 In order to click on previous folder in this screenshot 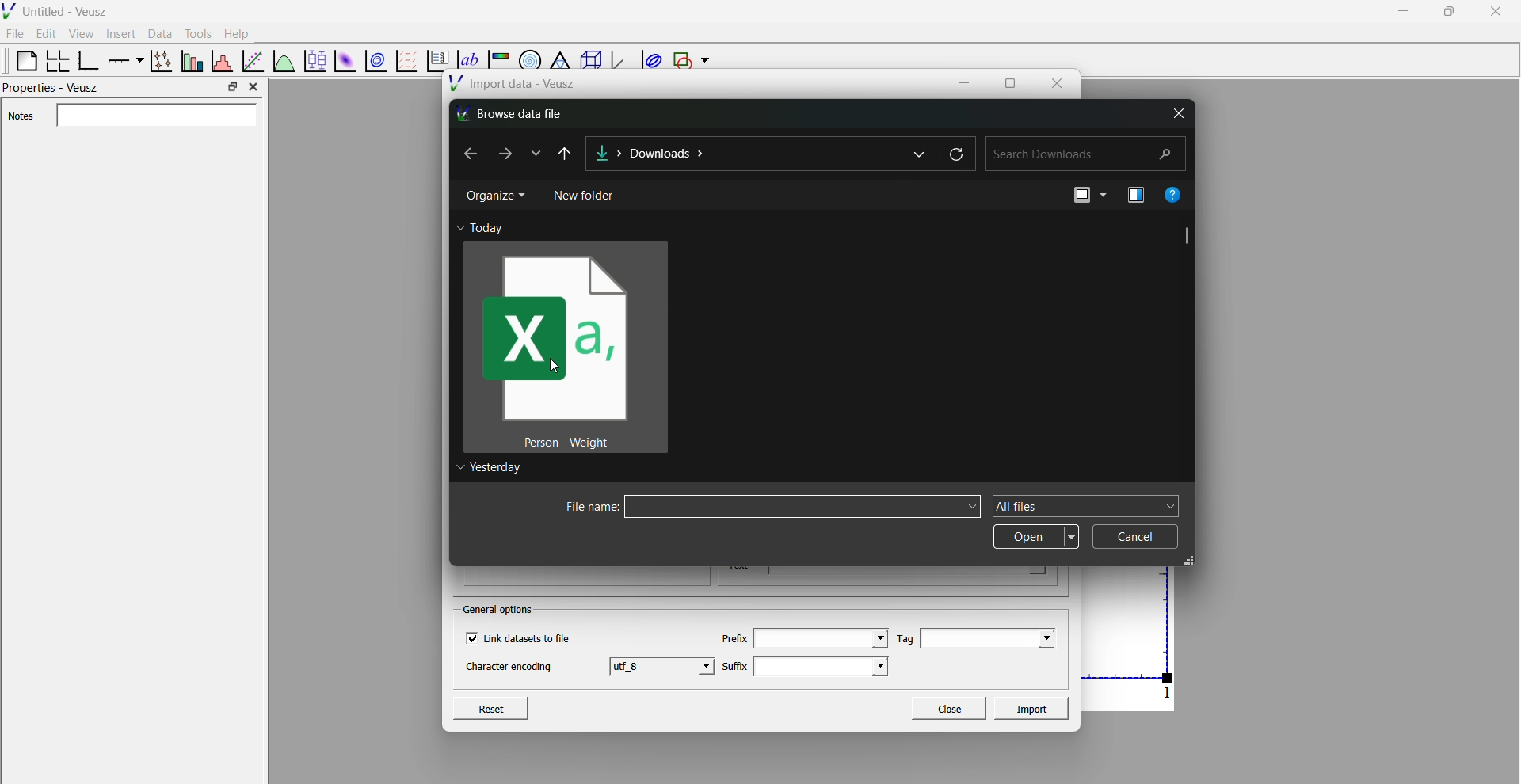, I will do `click(572, 152)`.